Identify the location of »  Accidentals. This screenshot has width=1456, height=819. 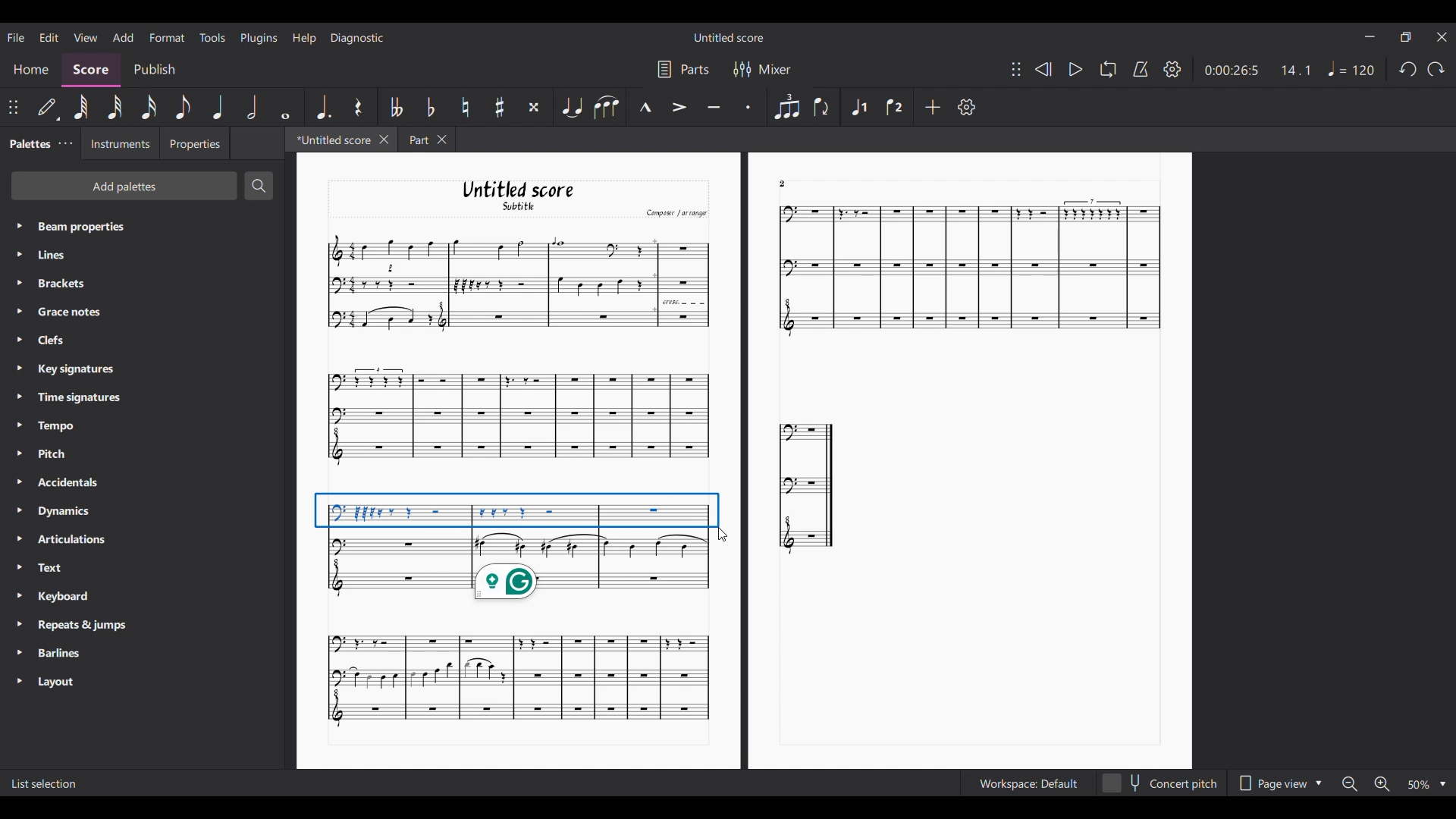
(63, 485).